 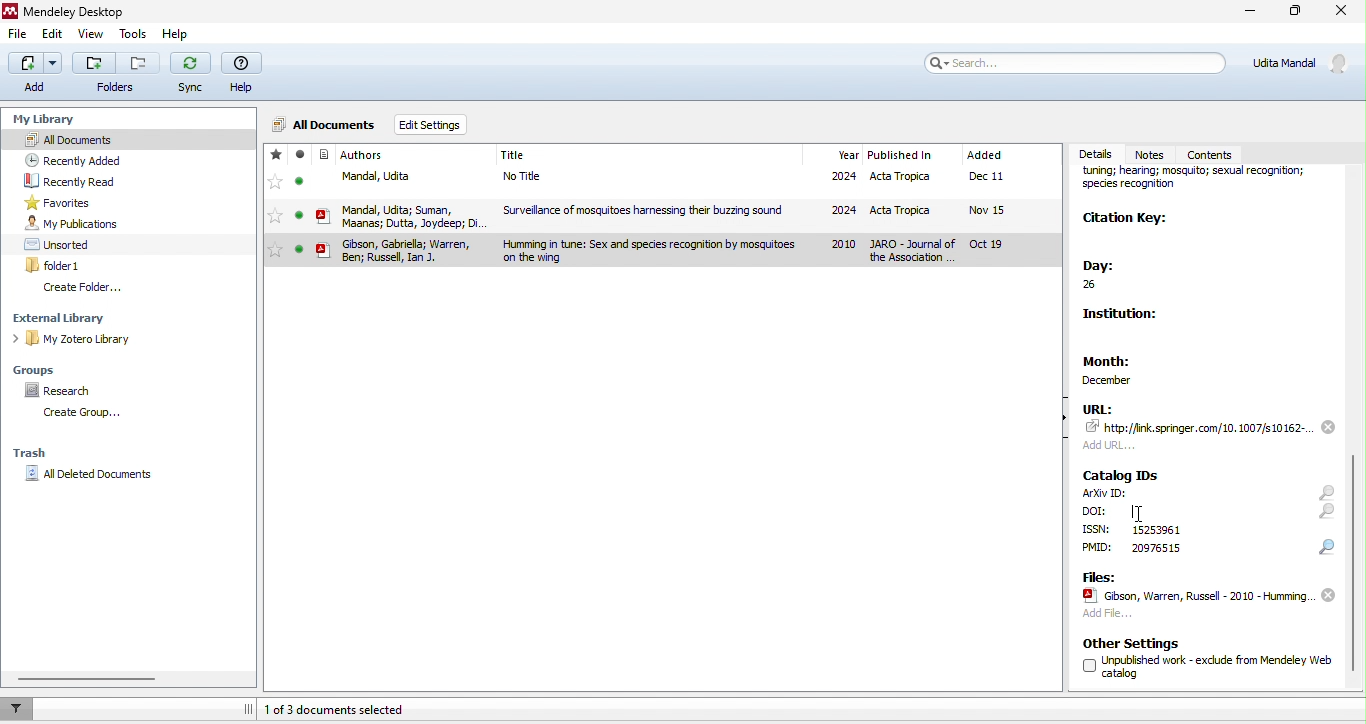 I want to click on trash, so click(x=32, y=455).